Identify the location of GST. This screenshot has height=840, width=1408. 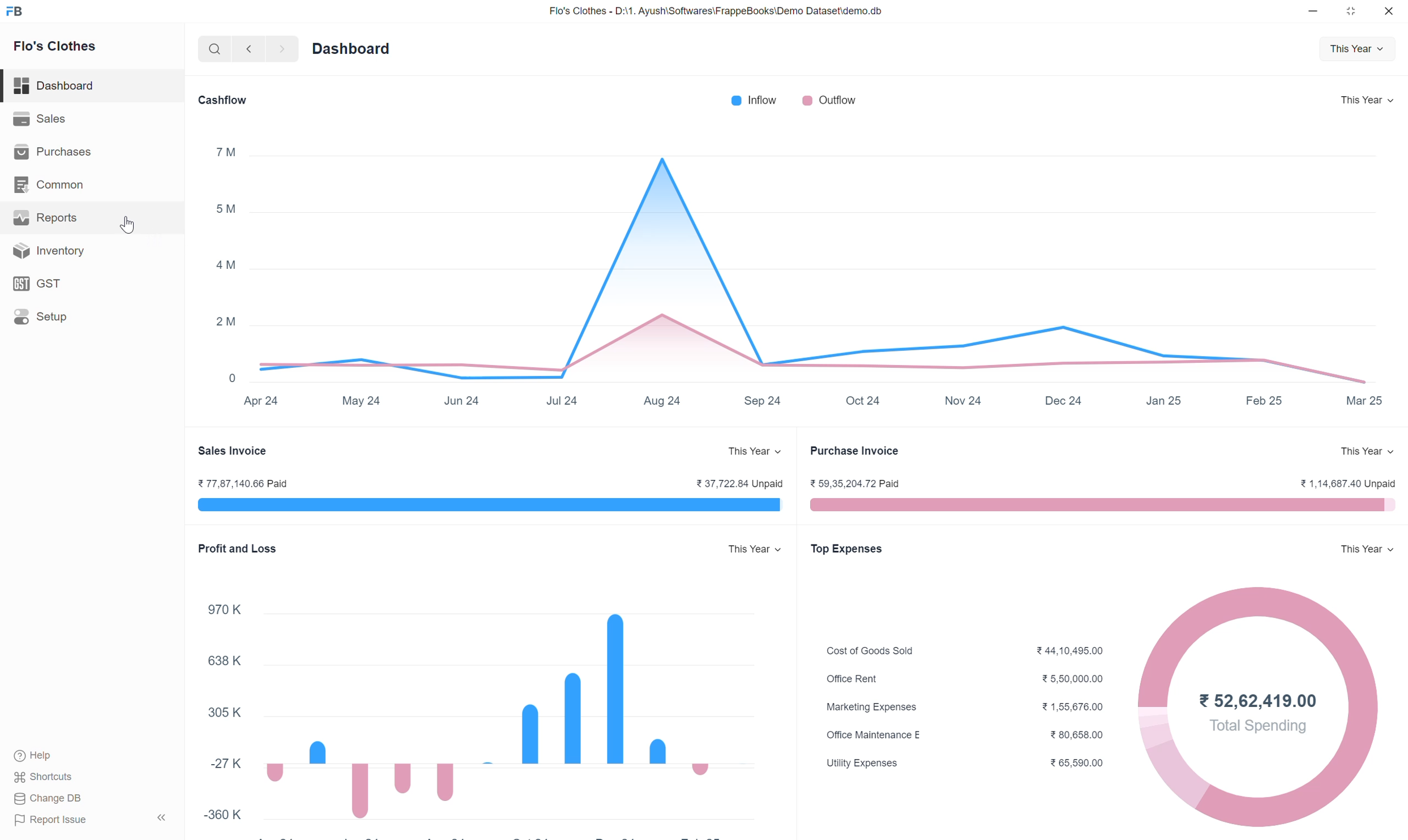
(45, 287).